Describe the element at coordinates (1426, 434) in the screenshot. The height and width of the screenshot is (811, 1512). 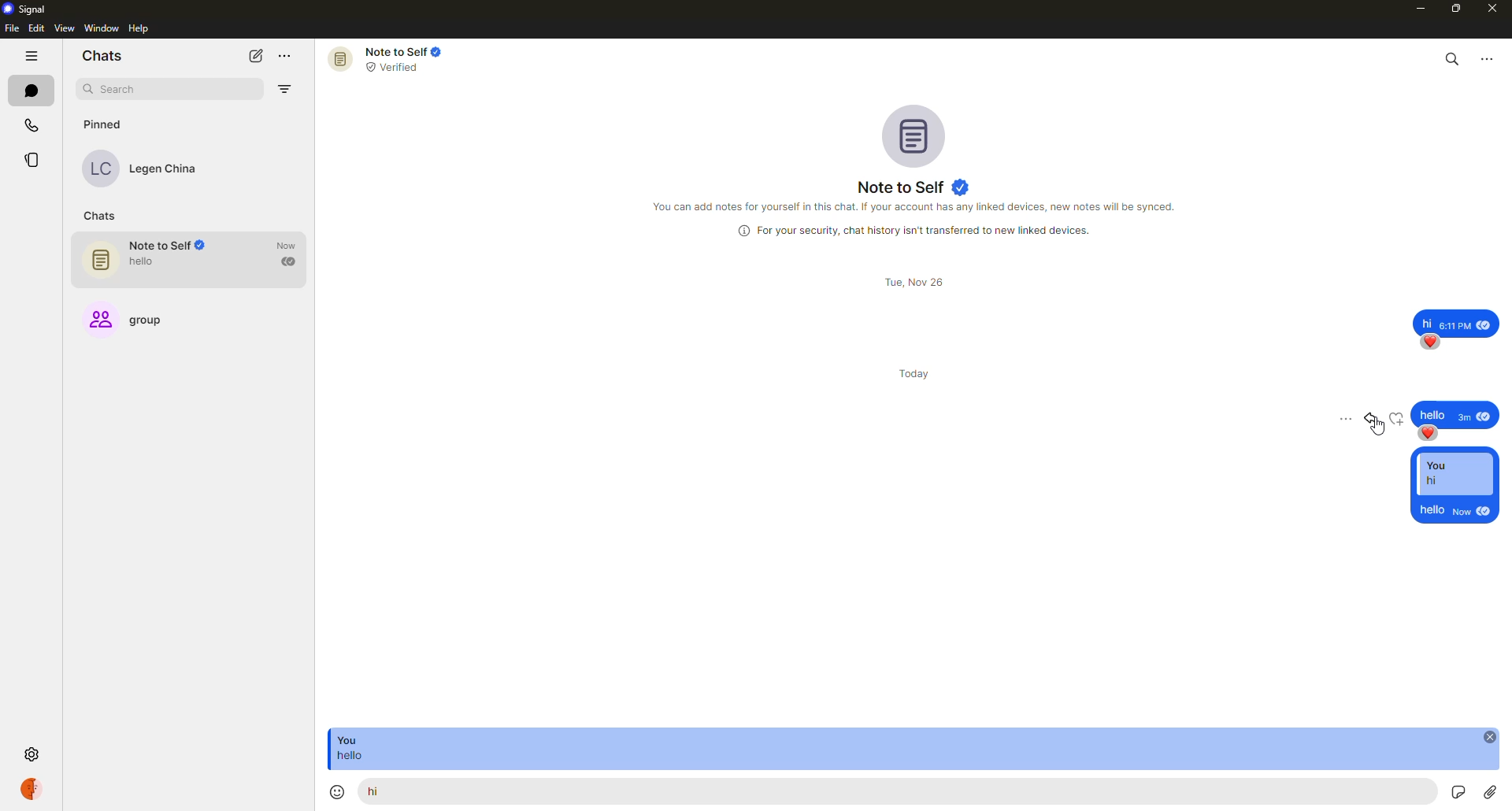
I see `reaction` at that location.